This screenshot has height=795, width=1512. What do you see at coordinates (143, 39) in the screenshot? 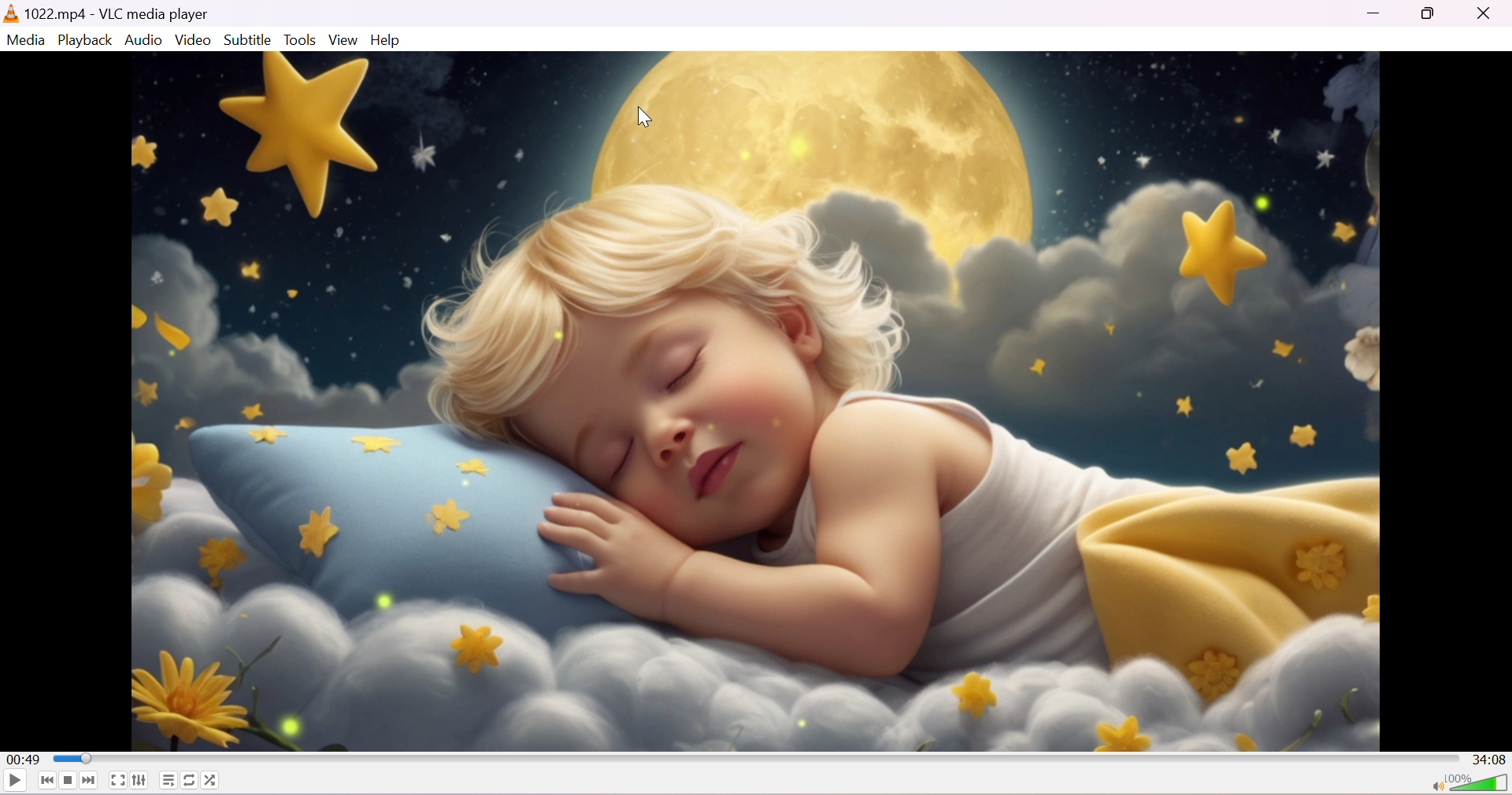
I see `` at bounding box center [143, 39].